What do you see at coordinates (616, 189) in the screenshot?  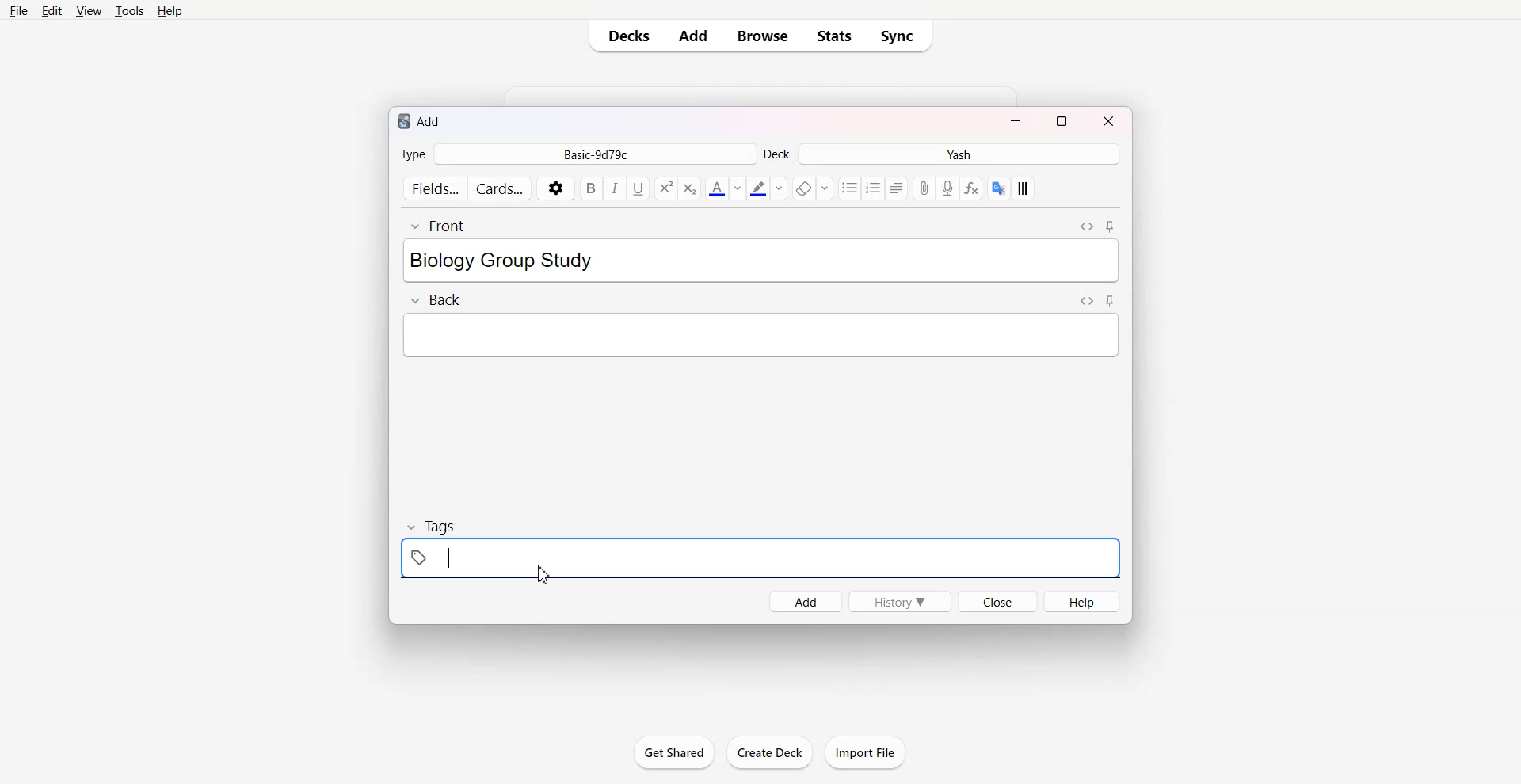 I see `Italic` at bounding box center [616, 189].